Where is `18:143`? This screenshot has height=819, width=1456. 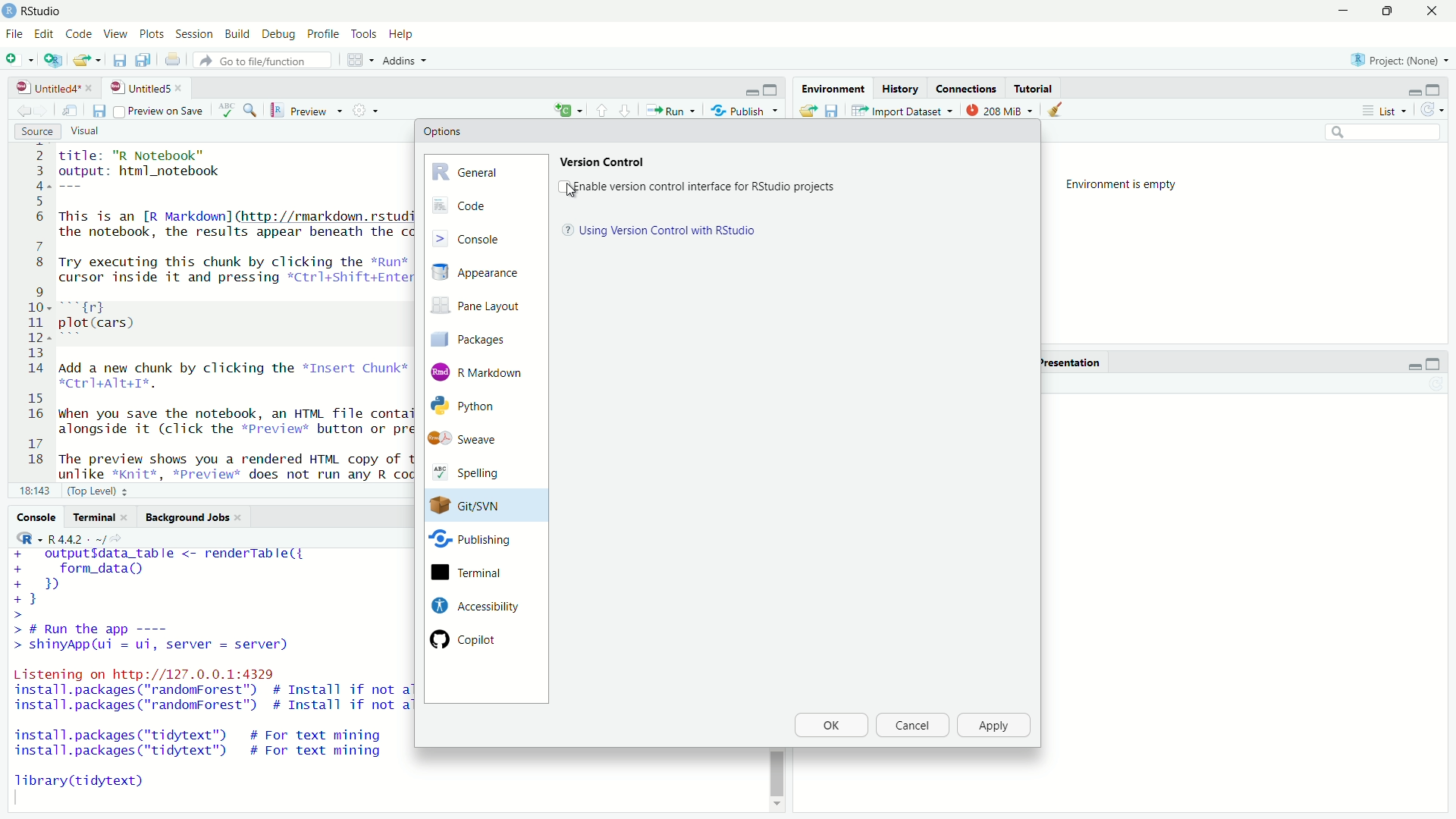 18:143 is located at coordinates (34, 490).